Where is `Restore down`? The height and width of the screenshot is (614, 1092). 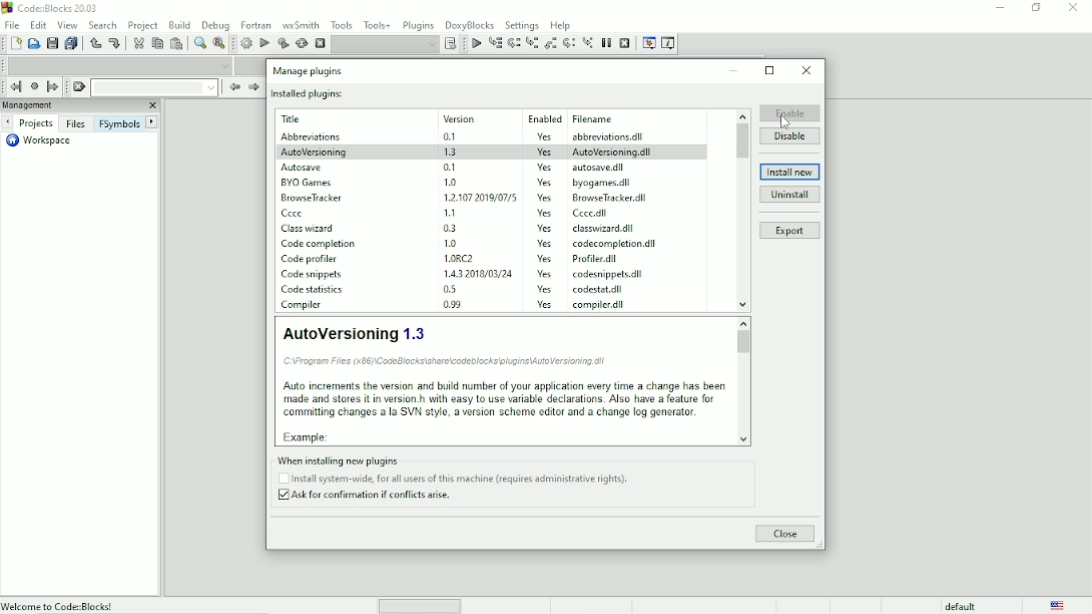
Restore down is located at coordinates (1037, 8).